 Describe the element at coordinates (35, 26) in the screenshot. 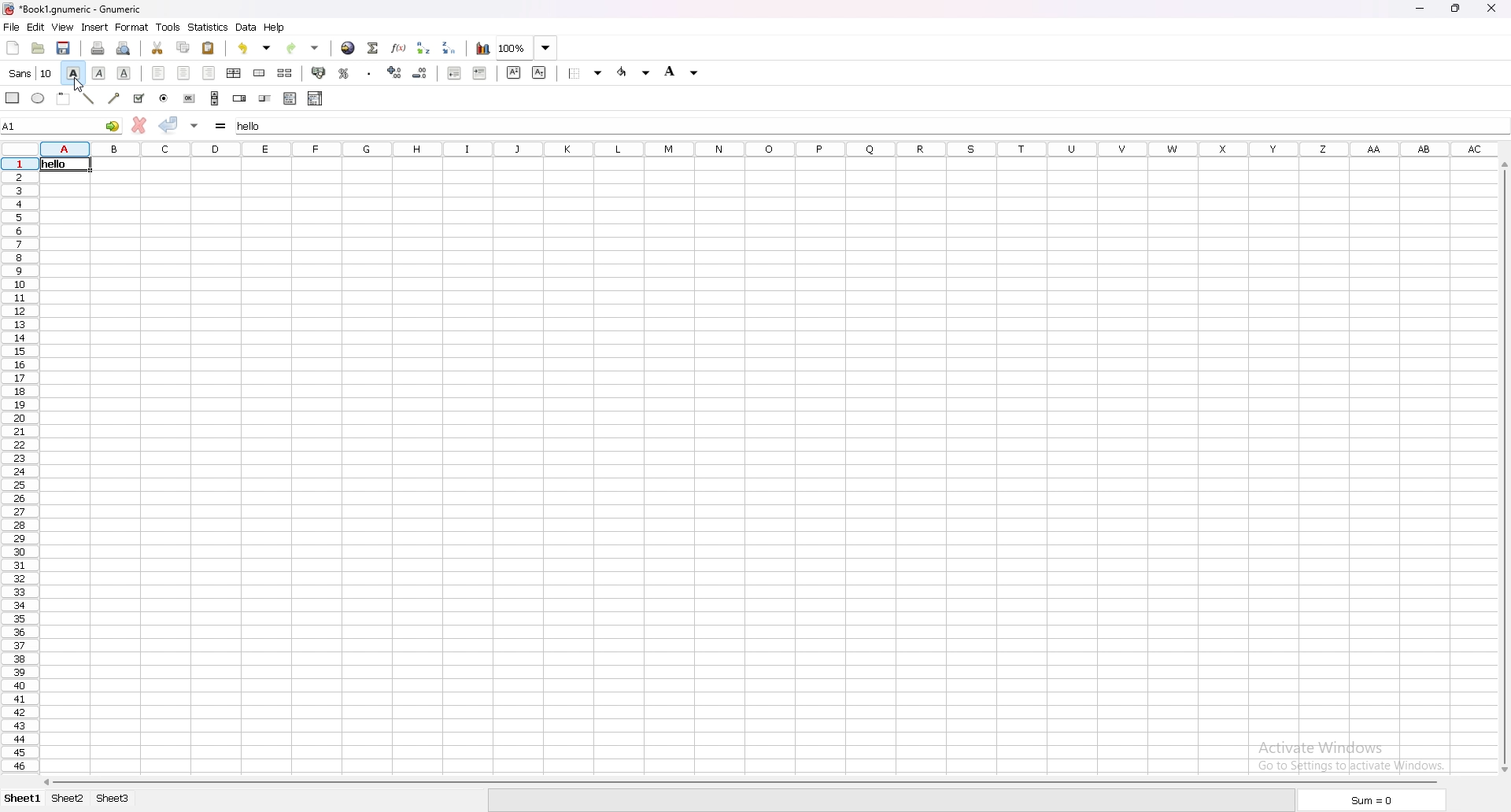

I see `edit` at that location.